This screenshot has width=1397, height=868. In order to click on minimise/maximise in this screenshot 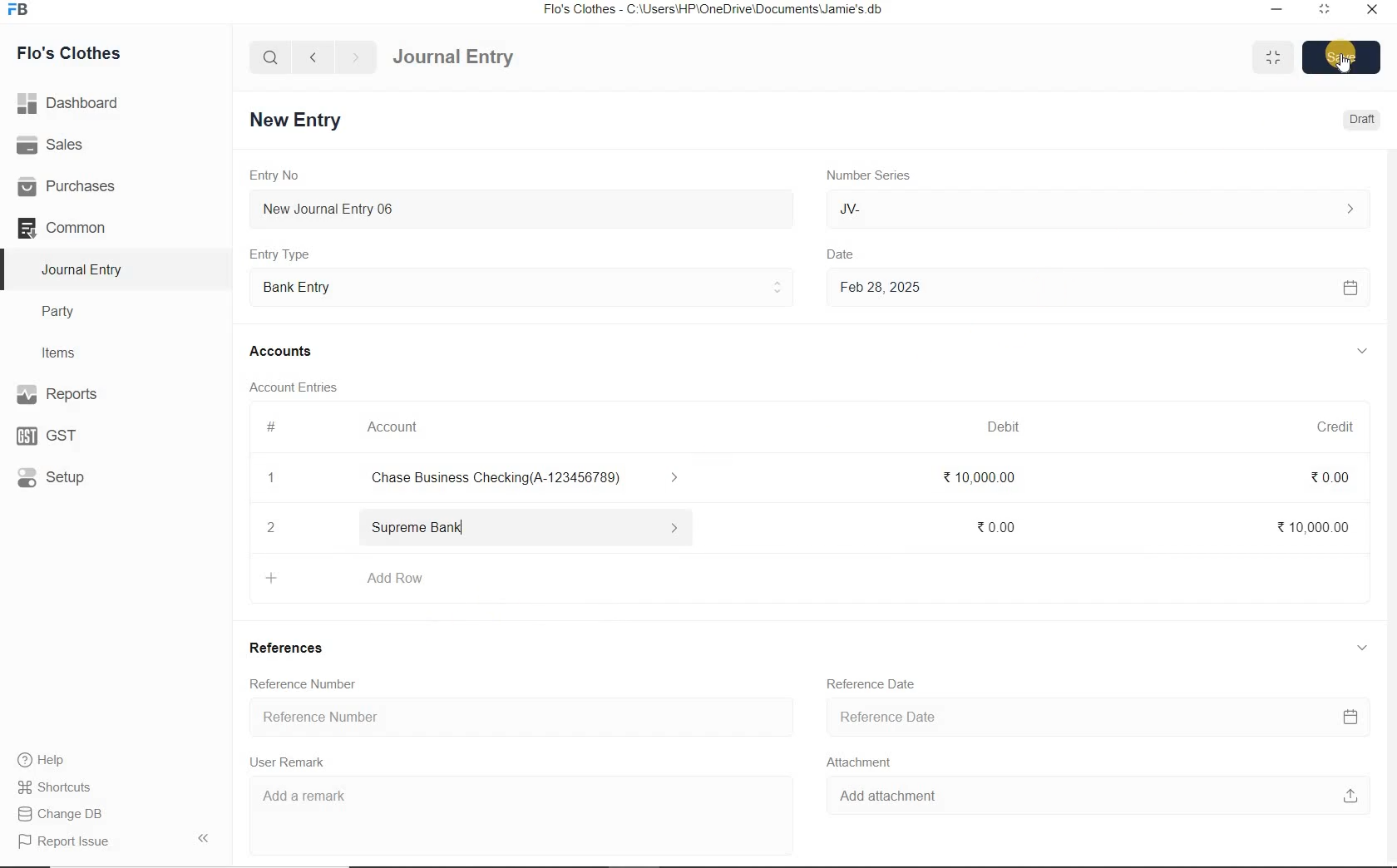, I will do `click(1274, 58)`.